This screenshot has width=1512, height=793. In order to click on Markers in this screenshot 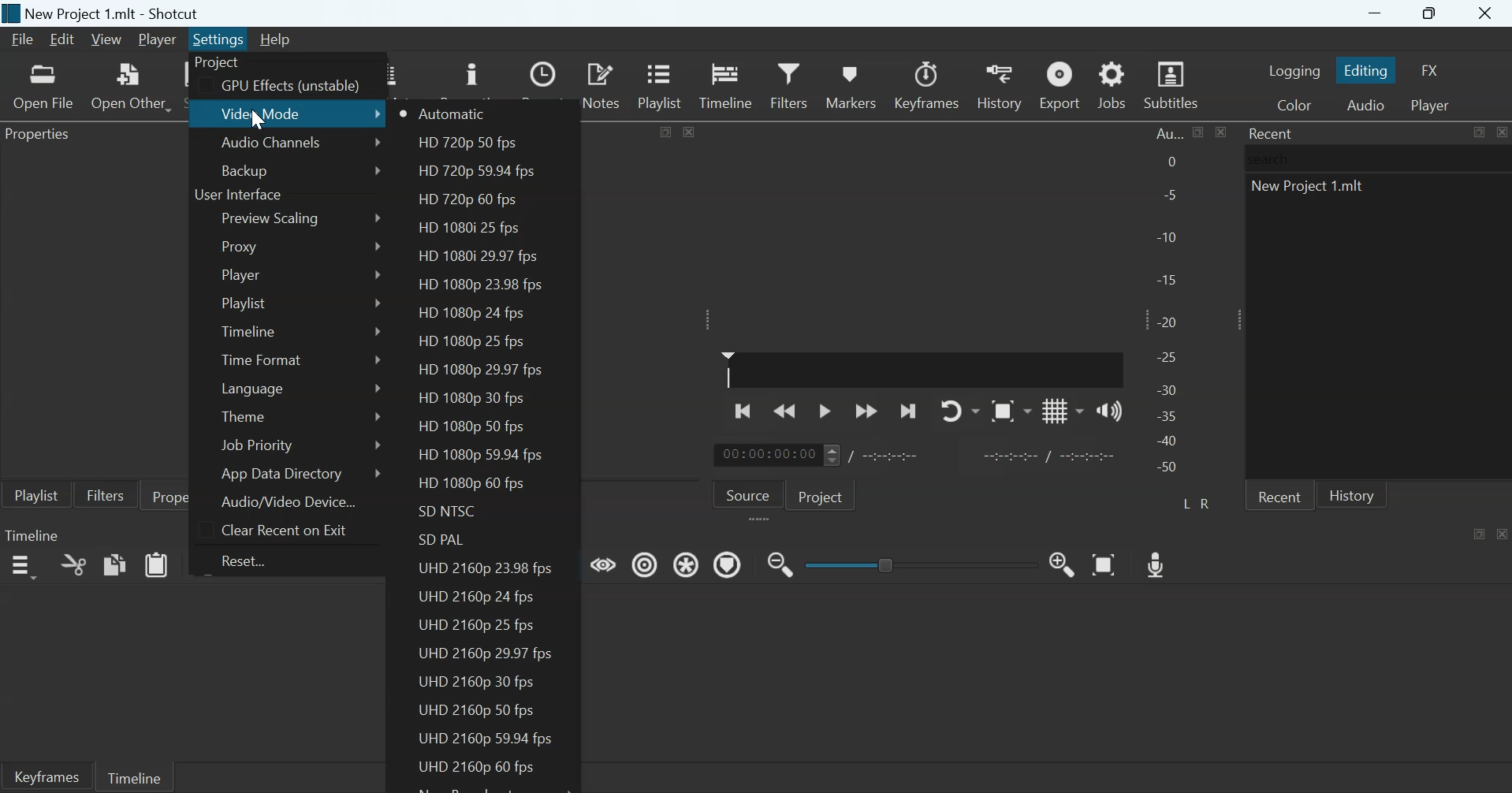, I will do `click(850, 84)`.